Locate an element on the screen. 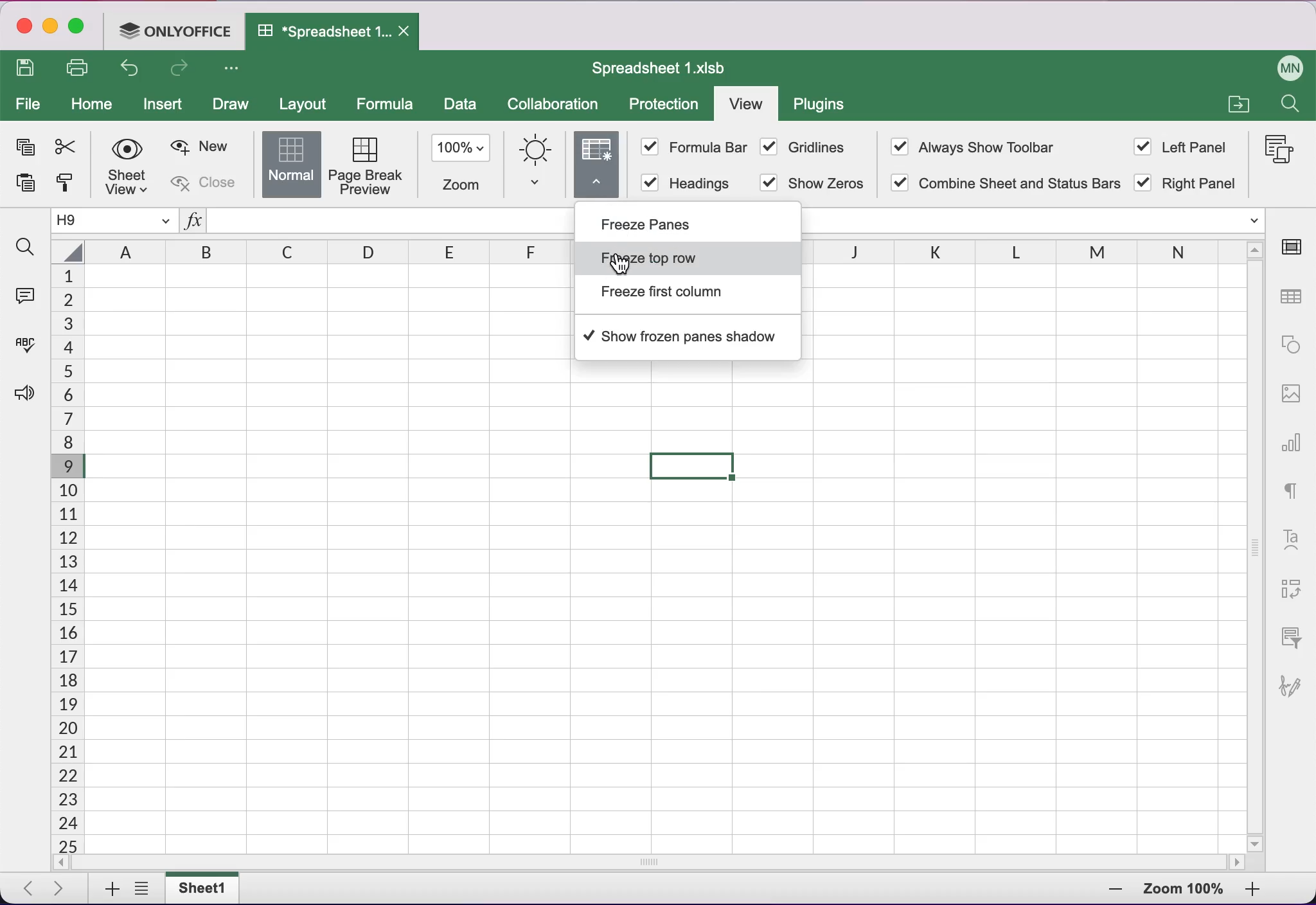 Image resolution: width=1316 pixels, height=905 pixels. freeze top row is located at coordinates (690, 260).